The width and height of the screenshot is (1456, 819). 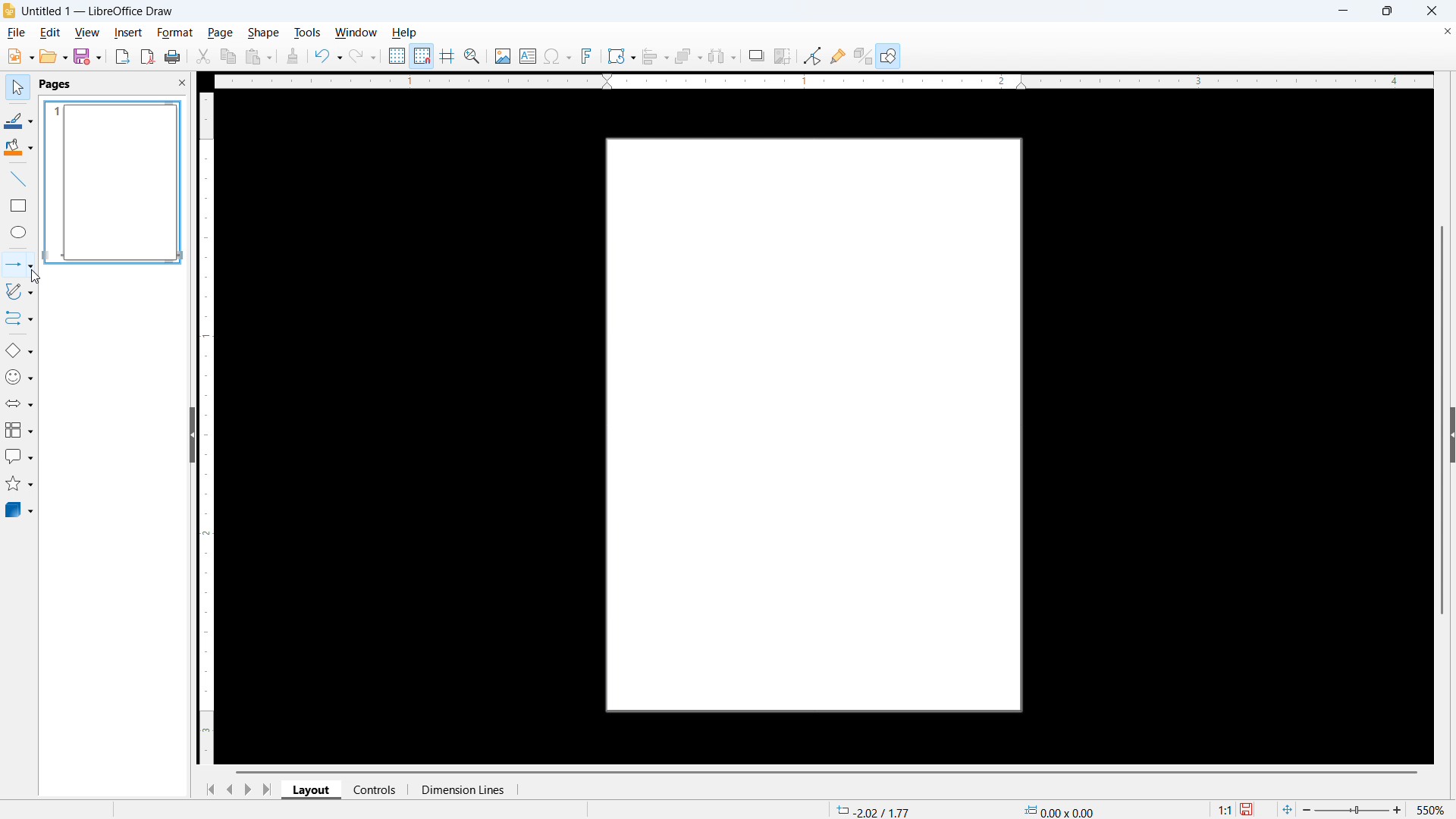 What do you see at coordinates (209, 790) in the screenshot?
I see `Go to first page ` at bounding box center [209, 790].